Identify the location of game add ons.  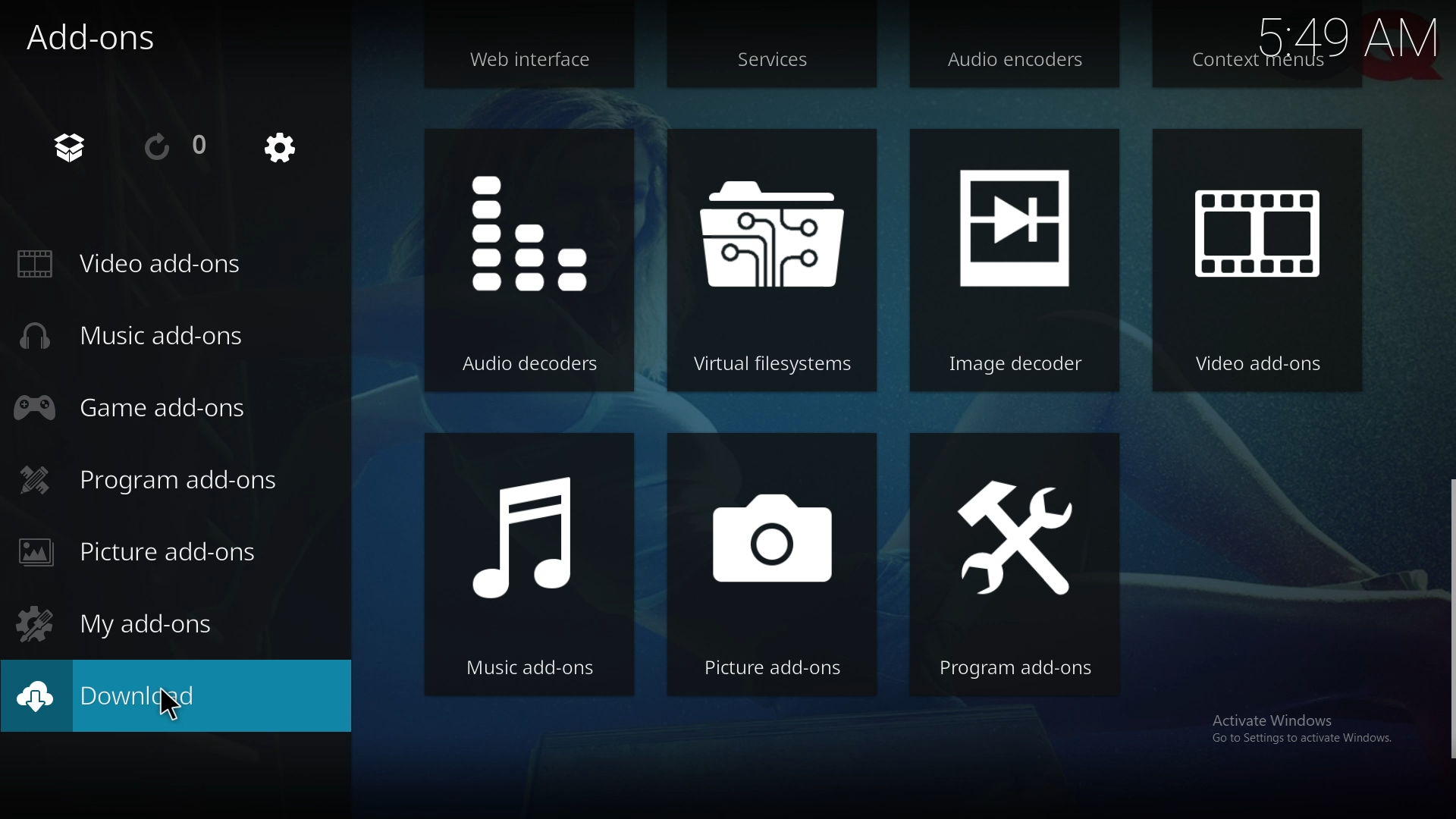
(141, 406).